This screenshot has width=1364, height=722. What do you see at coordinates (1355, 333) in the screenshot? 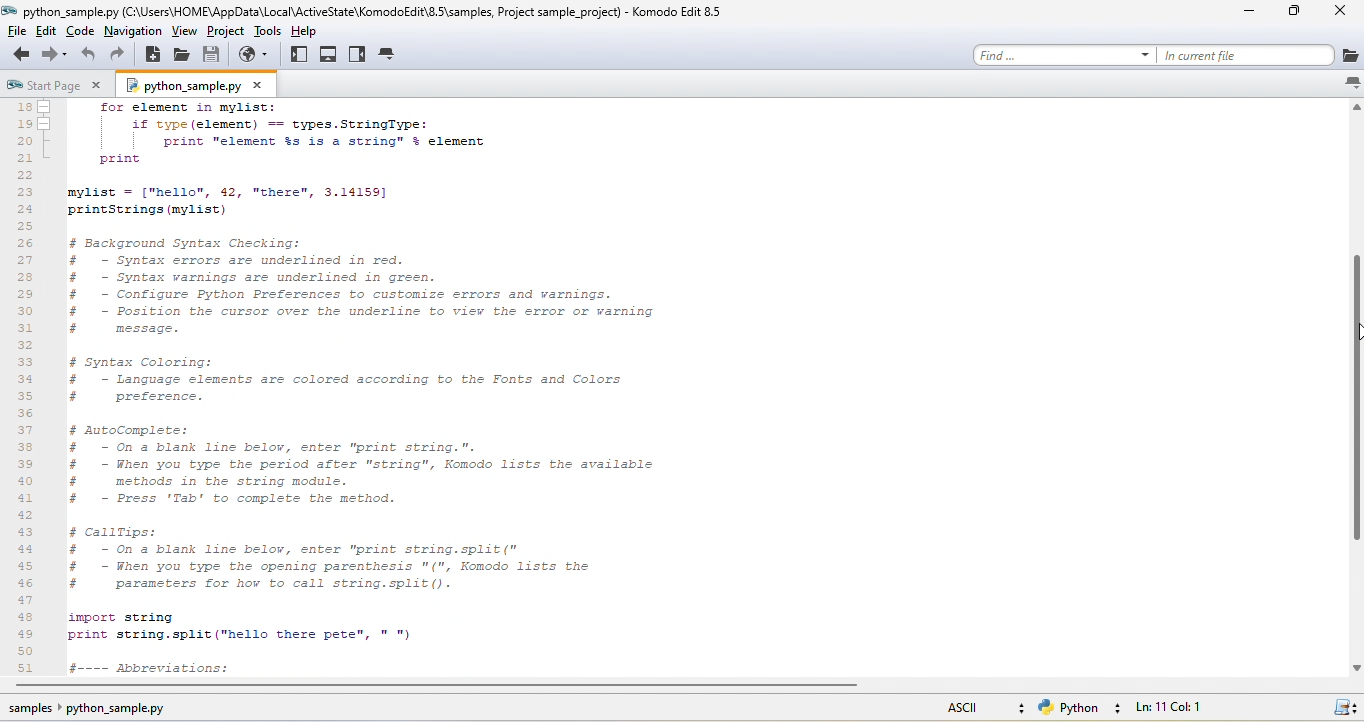
I see `cursor at mouse up` at bounding box center [1355, 333].